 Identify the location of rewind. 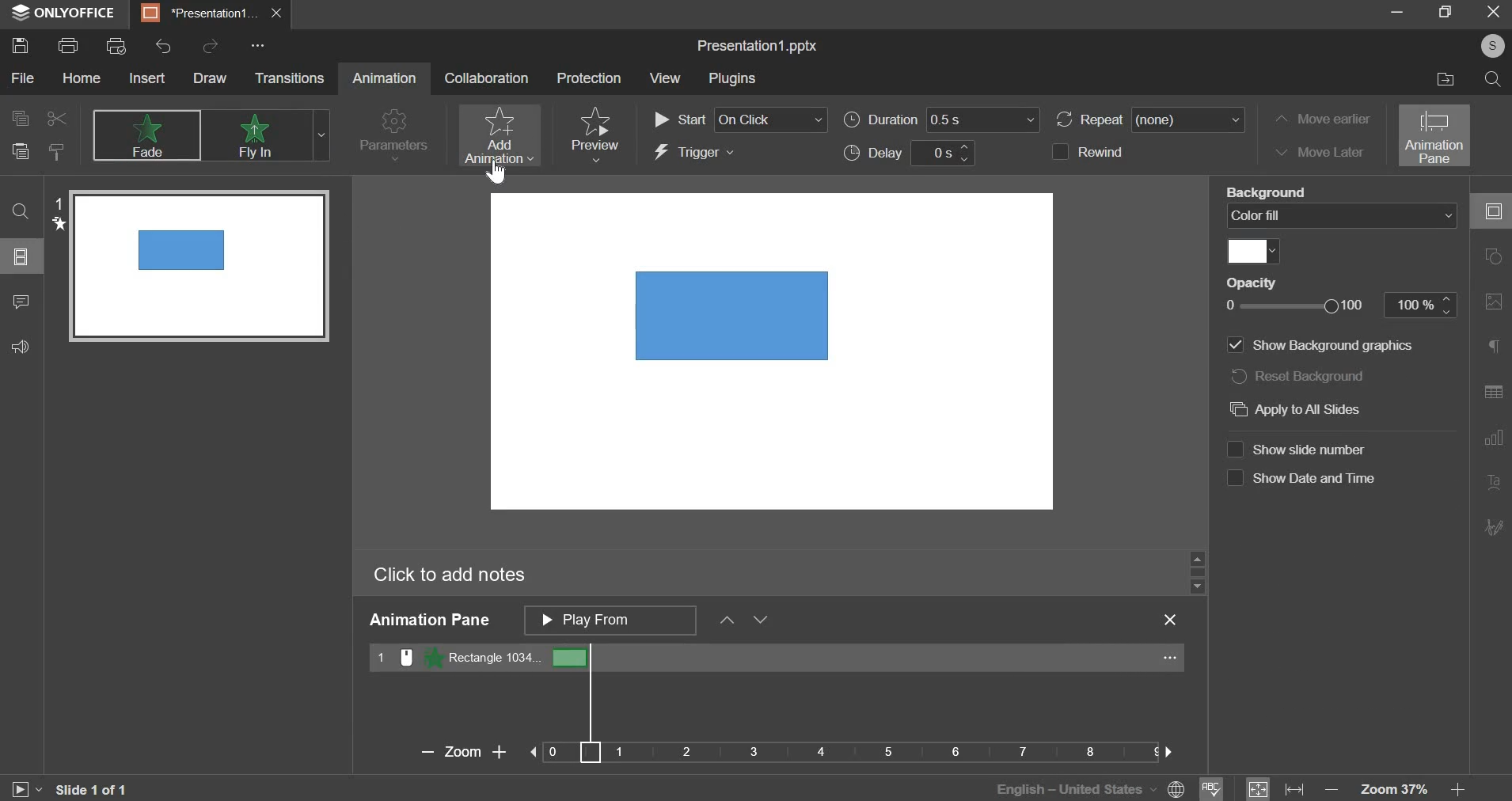
(1111, 152).